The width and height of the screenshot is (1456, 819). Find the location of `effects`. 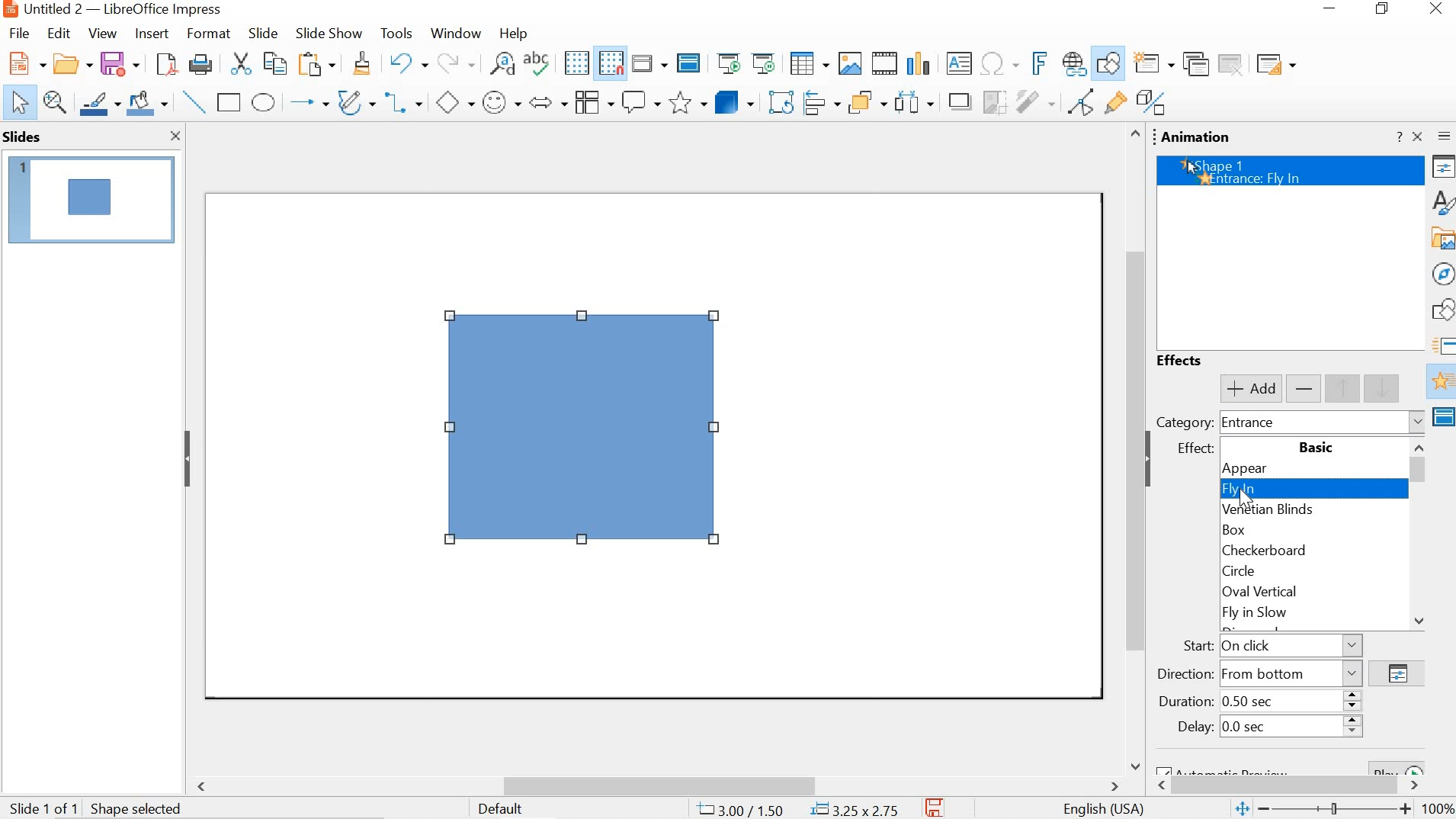

effects is located at coordinates (1184, 359).